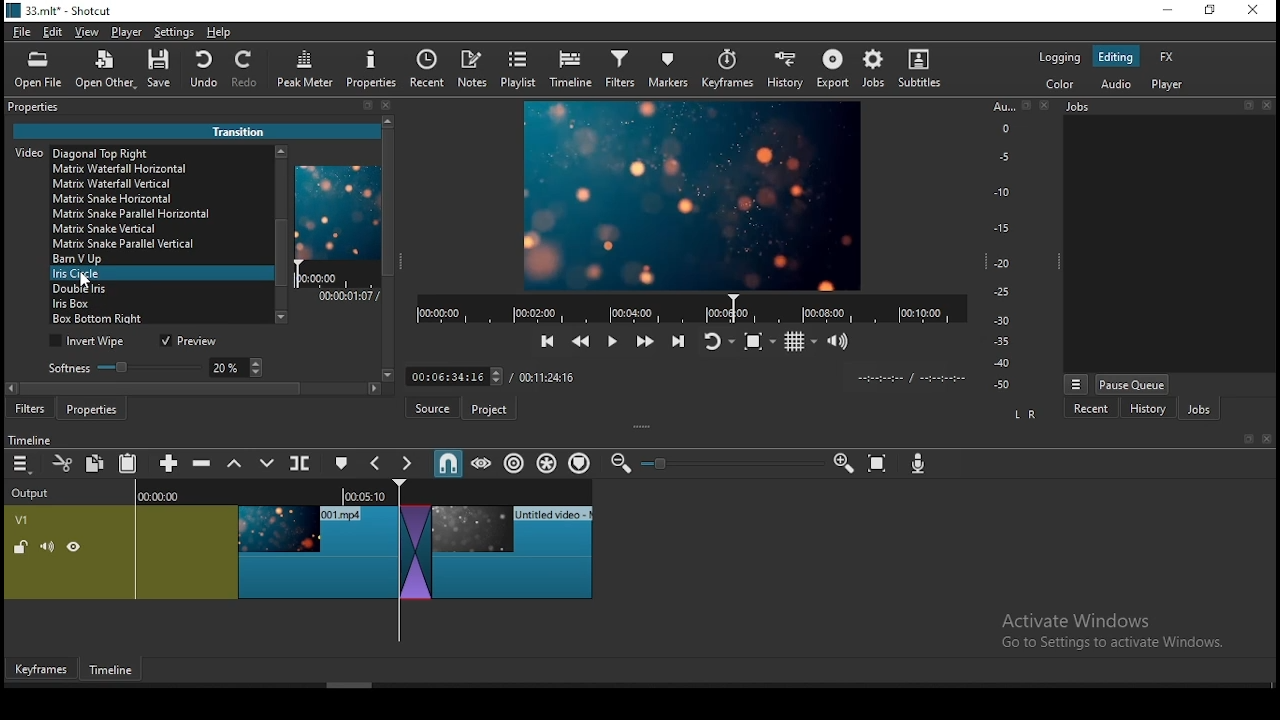 This screenshot has width=1280, height=720. Describe the element at coordinates (90, 288) in the screenshot. I see `cursor` at that location.